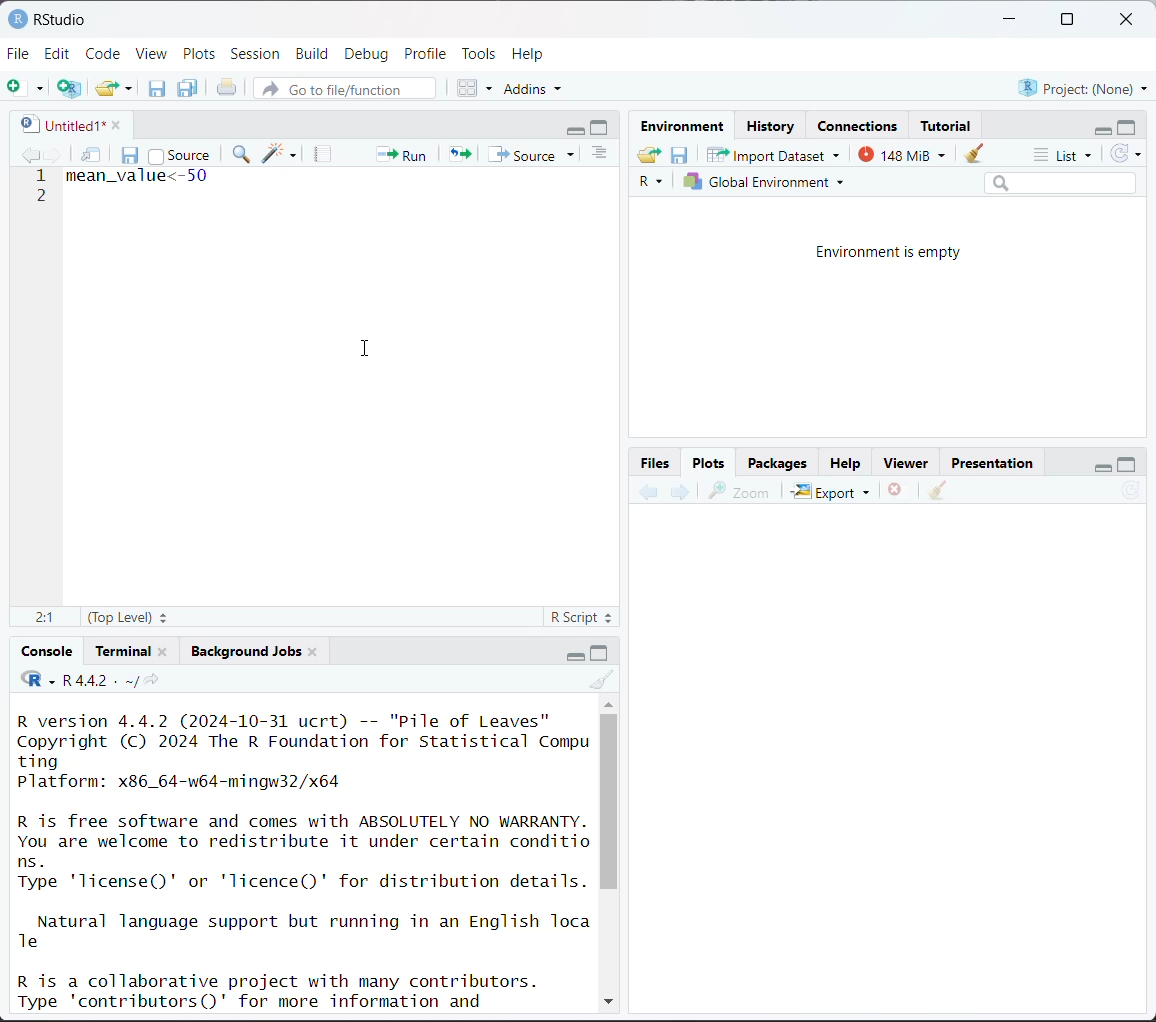  Describe the element at coordinates (107, 85) in the screenshot. I see `open an existing file` at that location.